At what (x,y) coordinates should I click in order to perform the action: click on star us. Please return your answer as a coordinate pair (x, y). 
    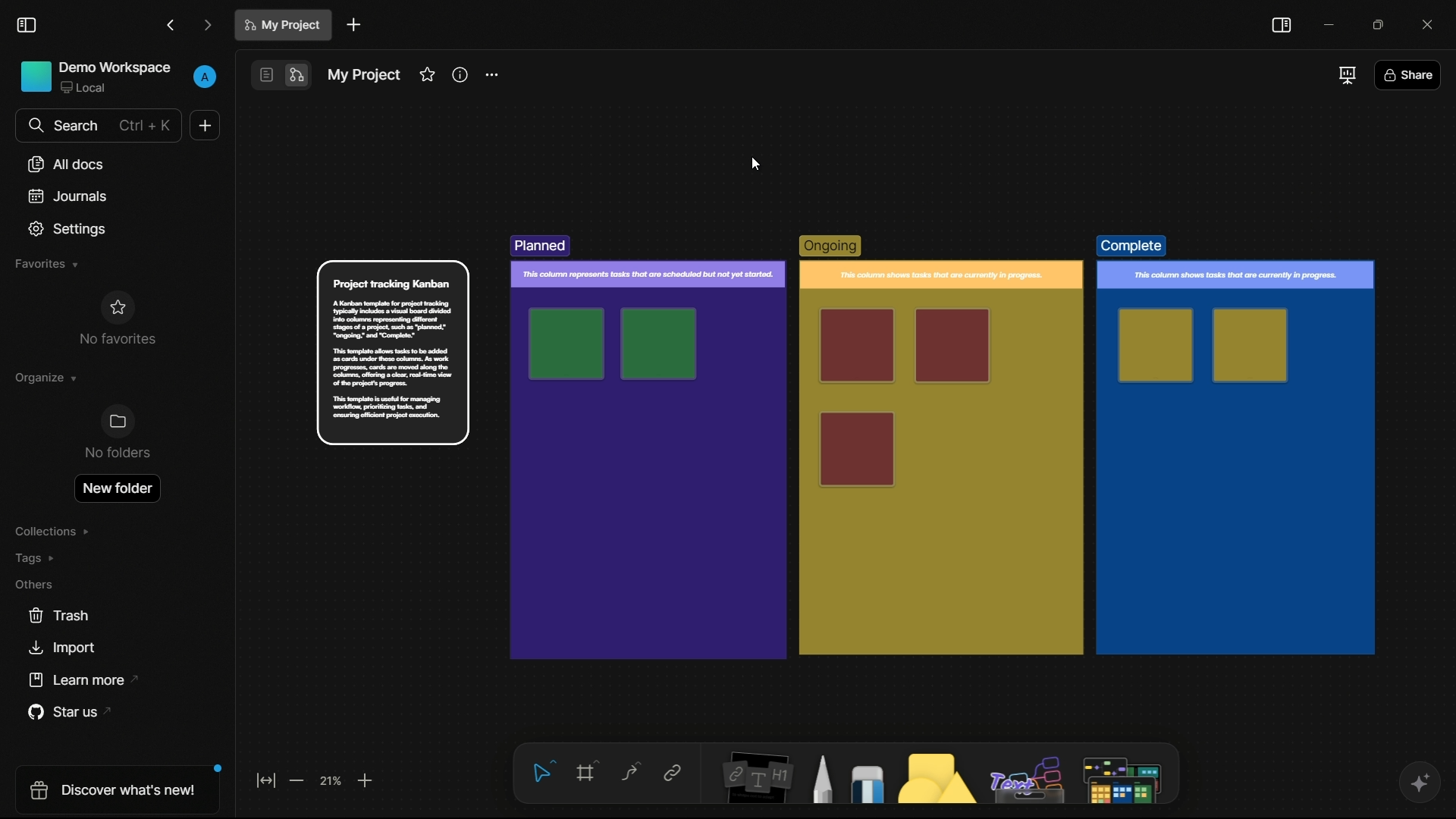
    Looking at the image, I should click on (74, 713).